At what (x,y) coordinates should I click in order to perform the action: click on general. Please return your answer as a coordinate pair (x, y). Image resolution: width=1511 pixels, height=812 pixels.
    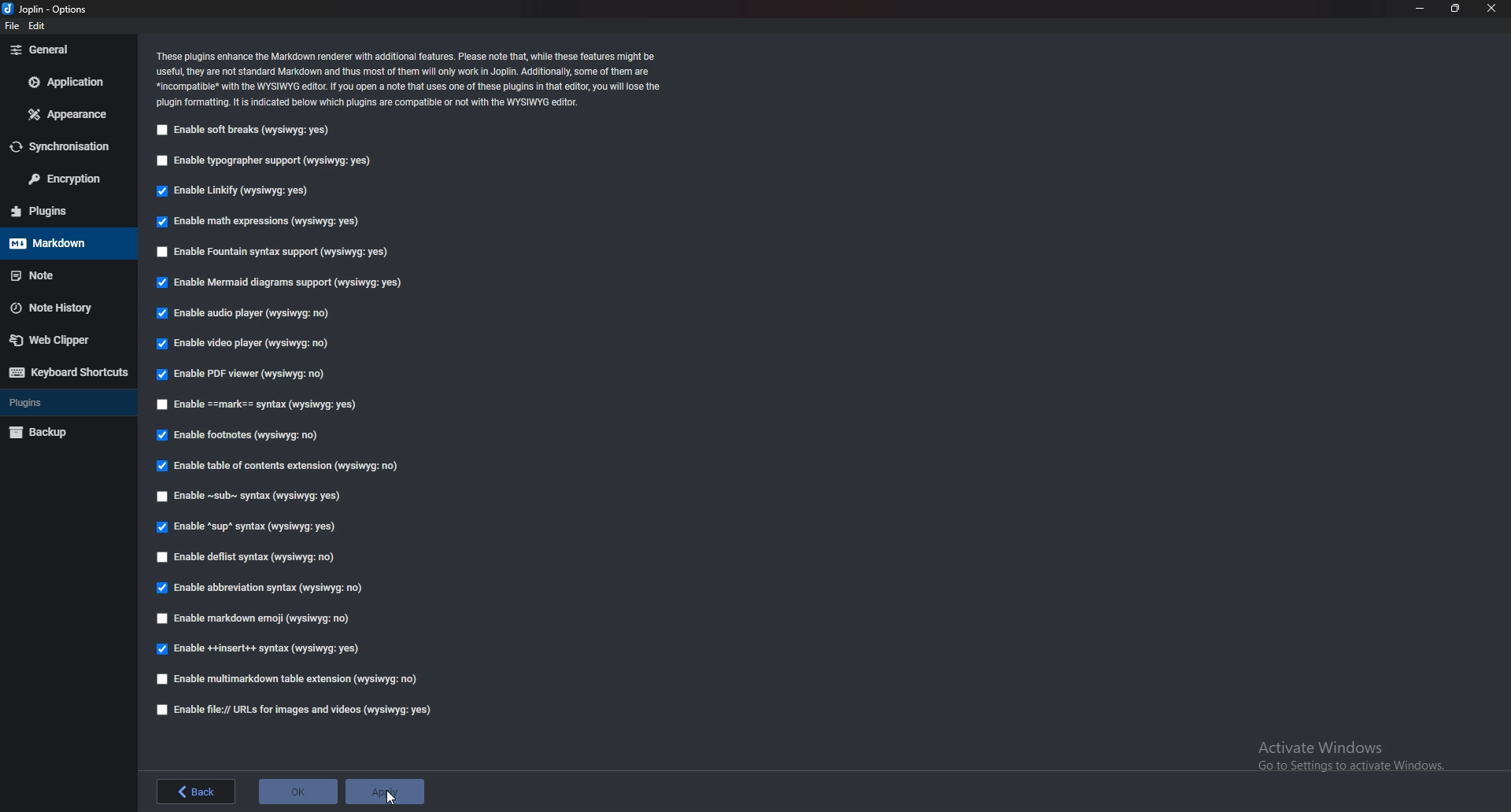
    Looking at the image, I should click on (65, 50).